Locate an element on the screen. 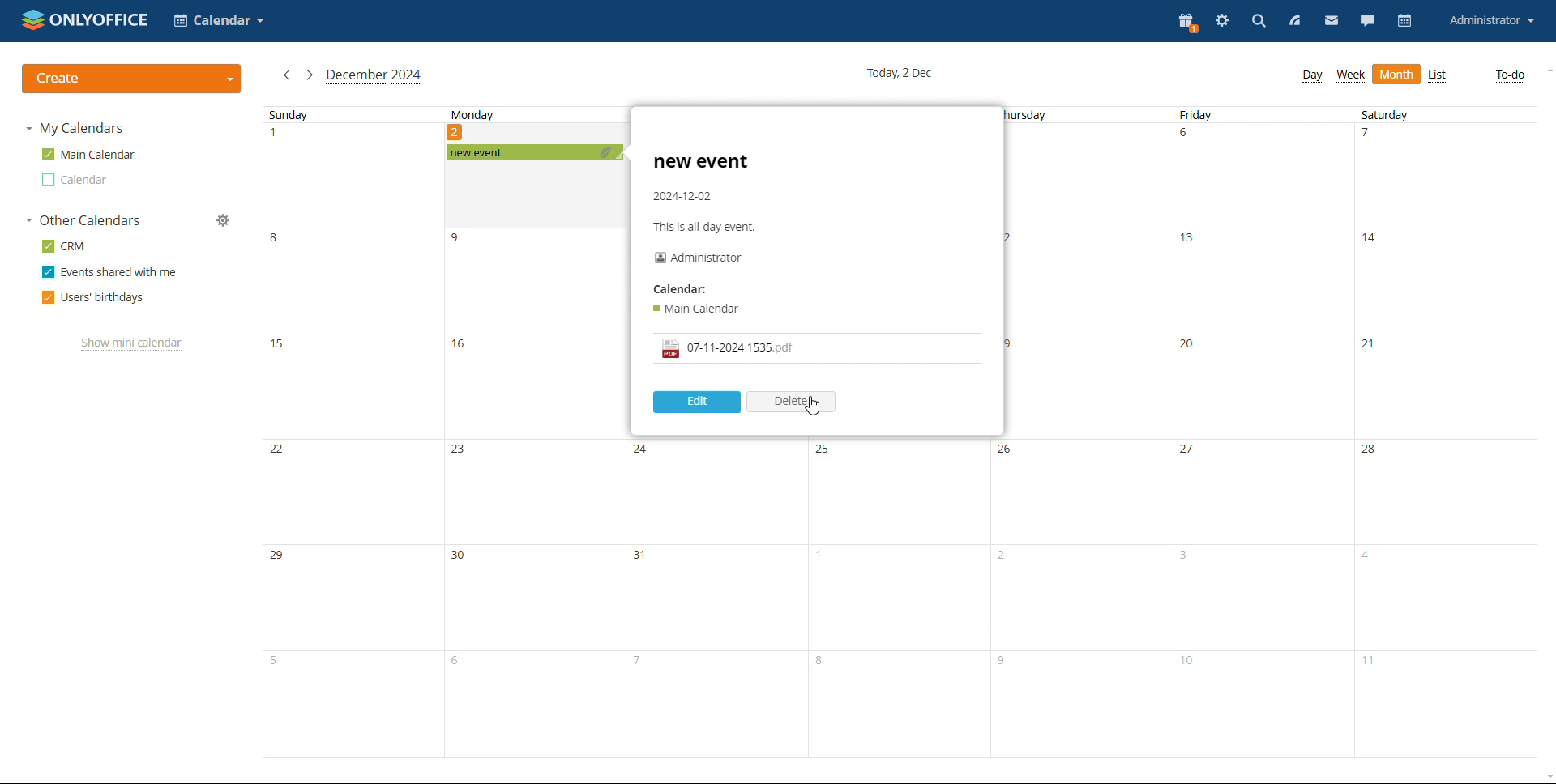 This screenshot has width=1556, height=784. Monday is located at coordinates (473, 114).